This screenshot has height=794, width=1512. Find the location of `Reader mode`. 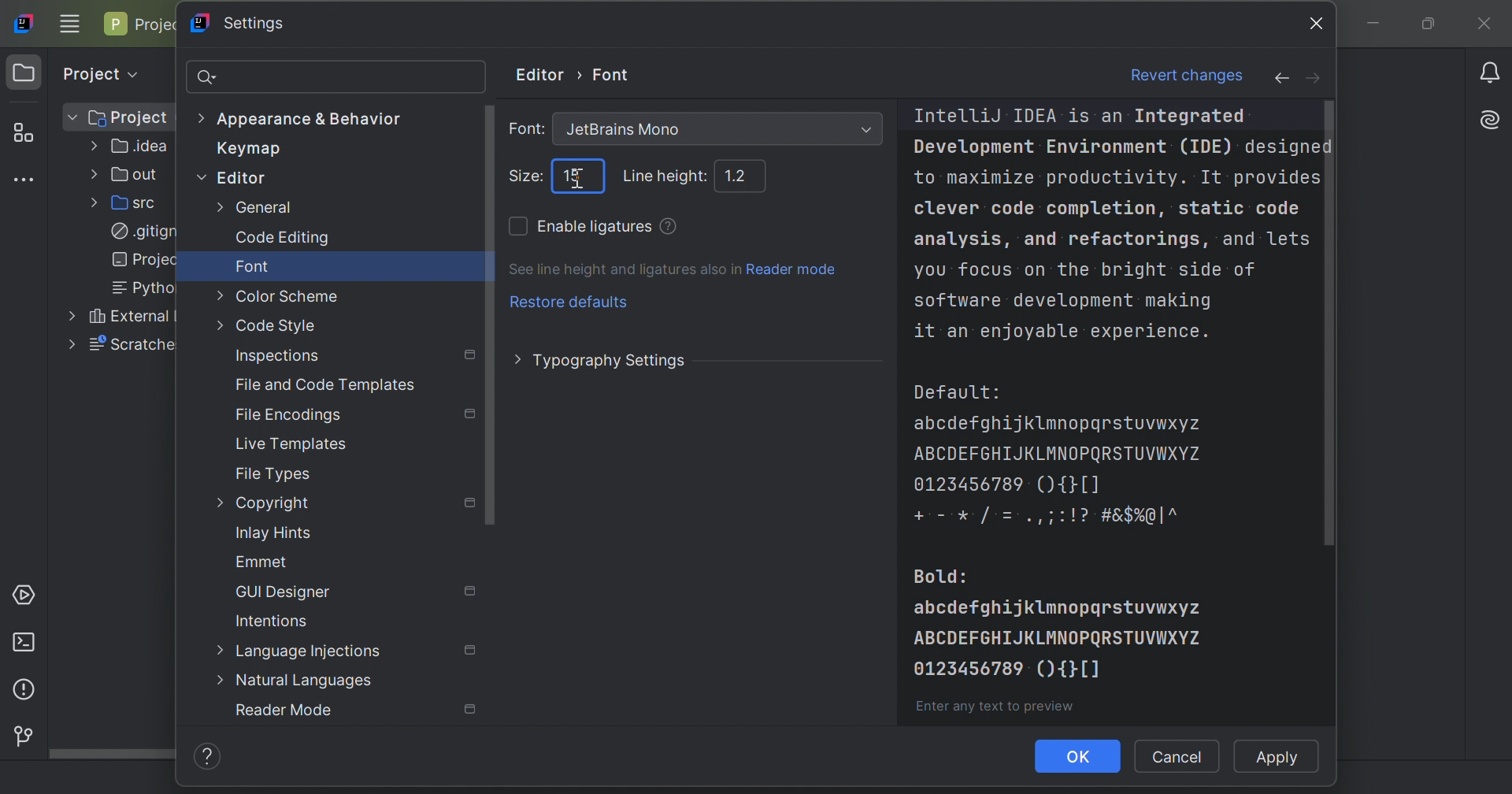

Reader mode is located at coordinates (283, 711).